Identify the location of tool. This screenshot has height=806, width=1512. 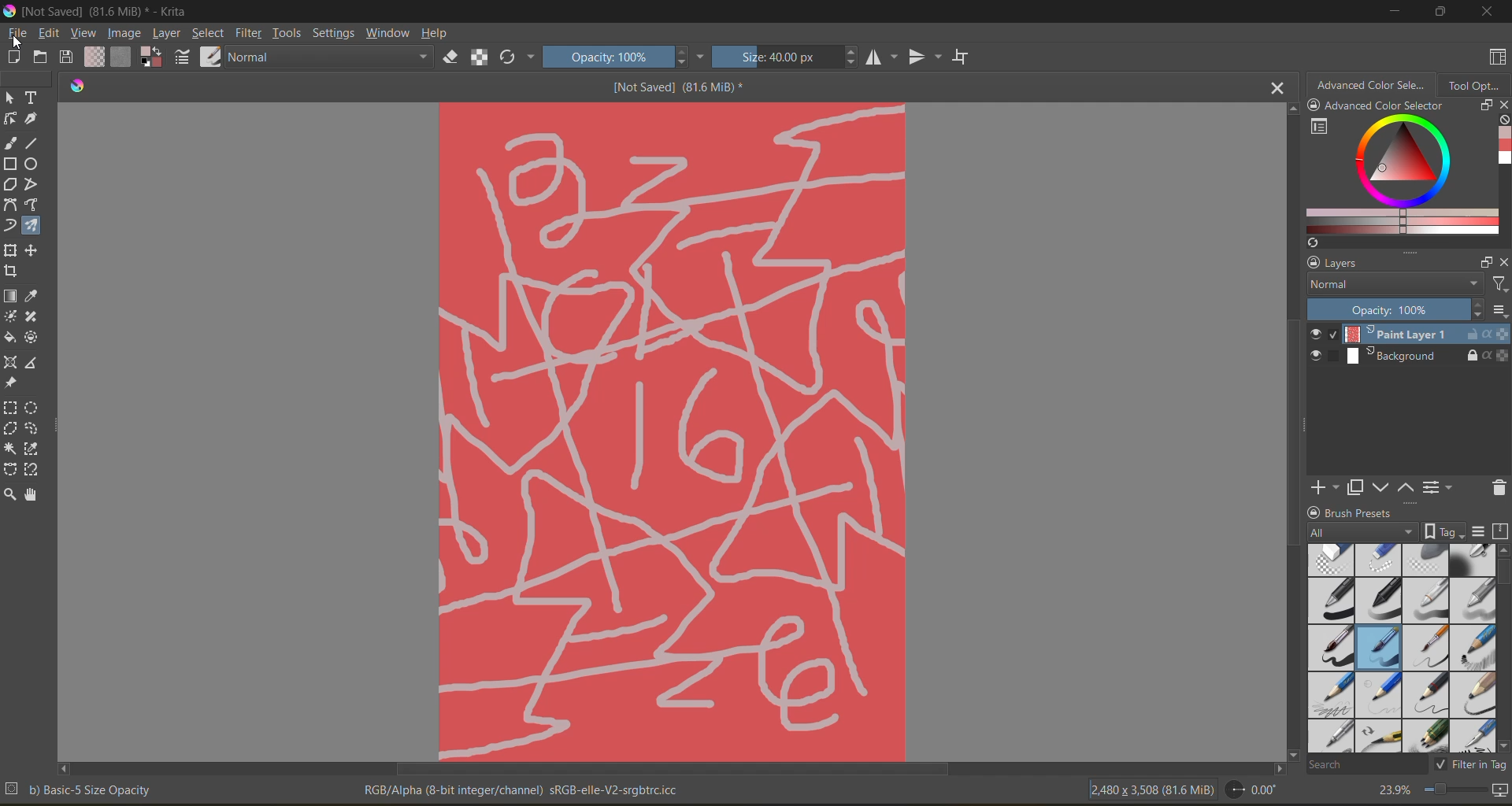
(31, 165).